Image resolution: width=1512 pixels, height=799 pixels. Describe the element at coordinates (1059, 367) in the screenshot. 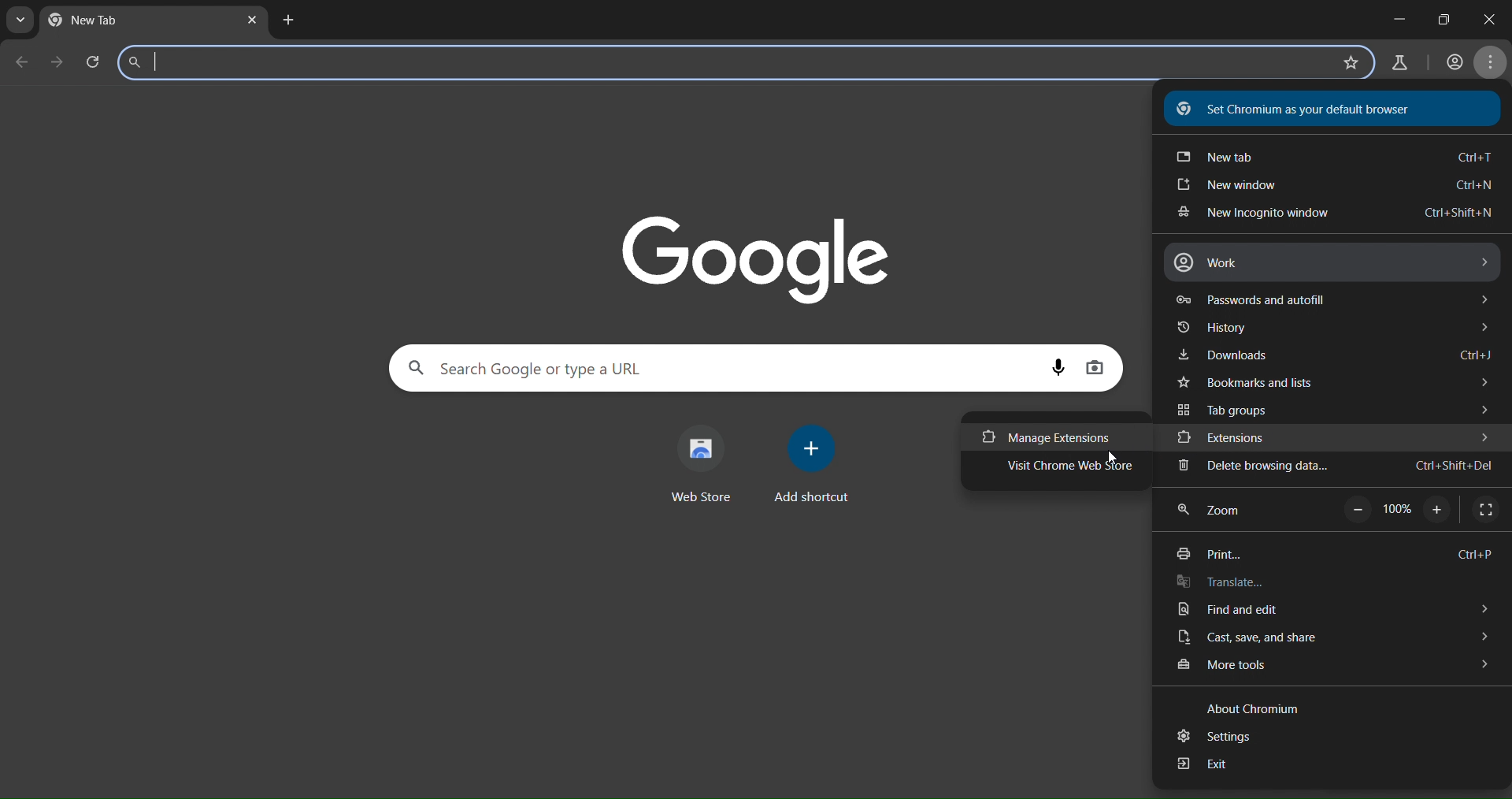

I see `voice search` at that location.